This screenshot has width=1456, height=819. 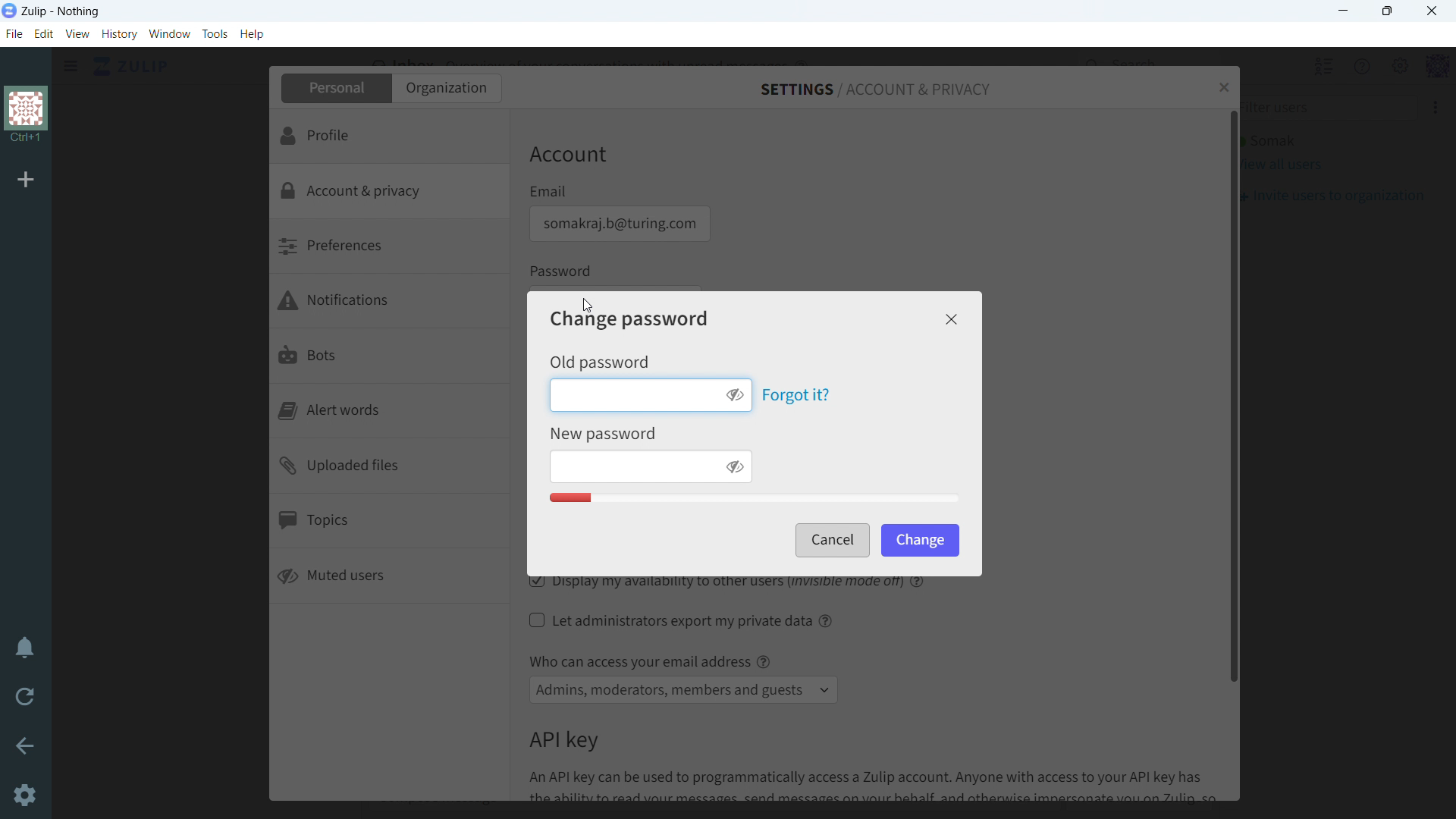 I want to click on enable do not disturb, so click(x=25, y=647).